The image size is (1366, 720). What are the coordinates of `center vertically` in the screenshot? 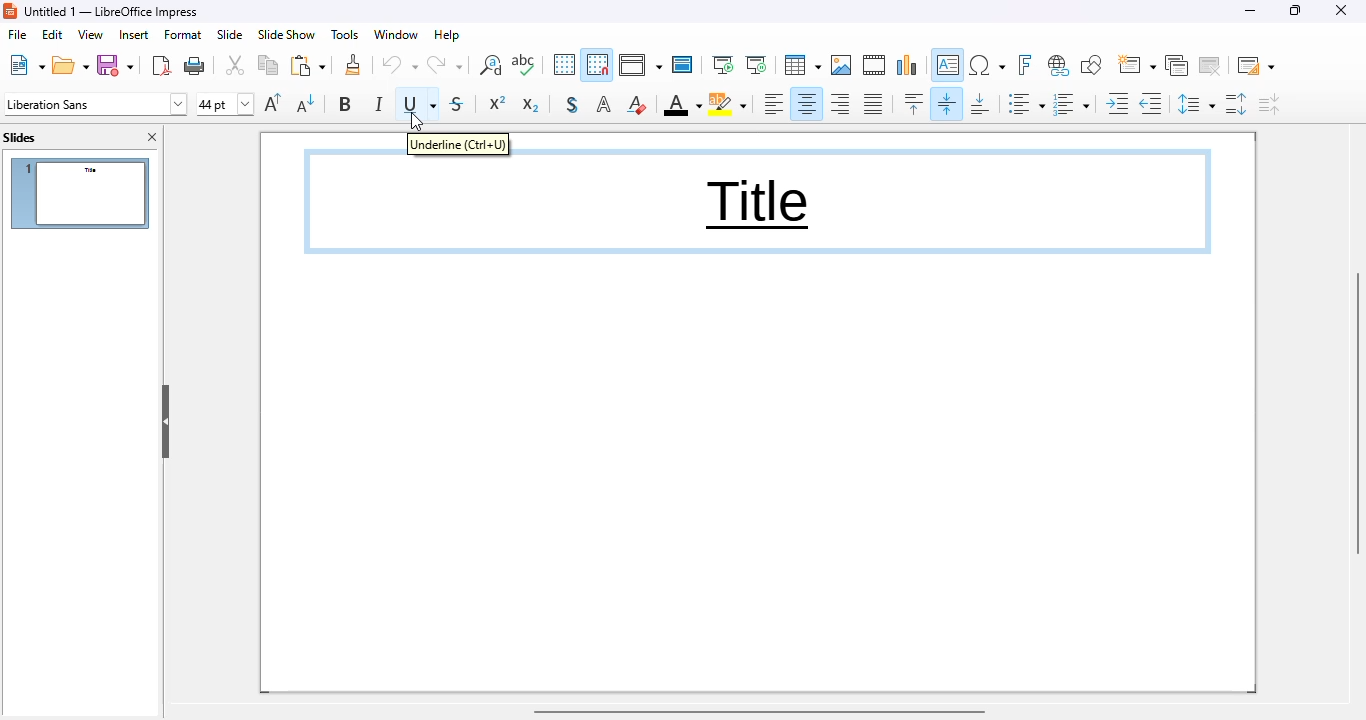 It's located at (946, 103).